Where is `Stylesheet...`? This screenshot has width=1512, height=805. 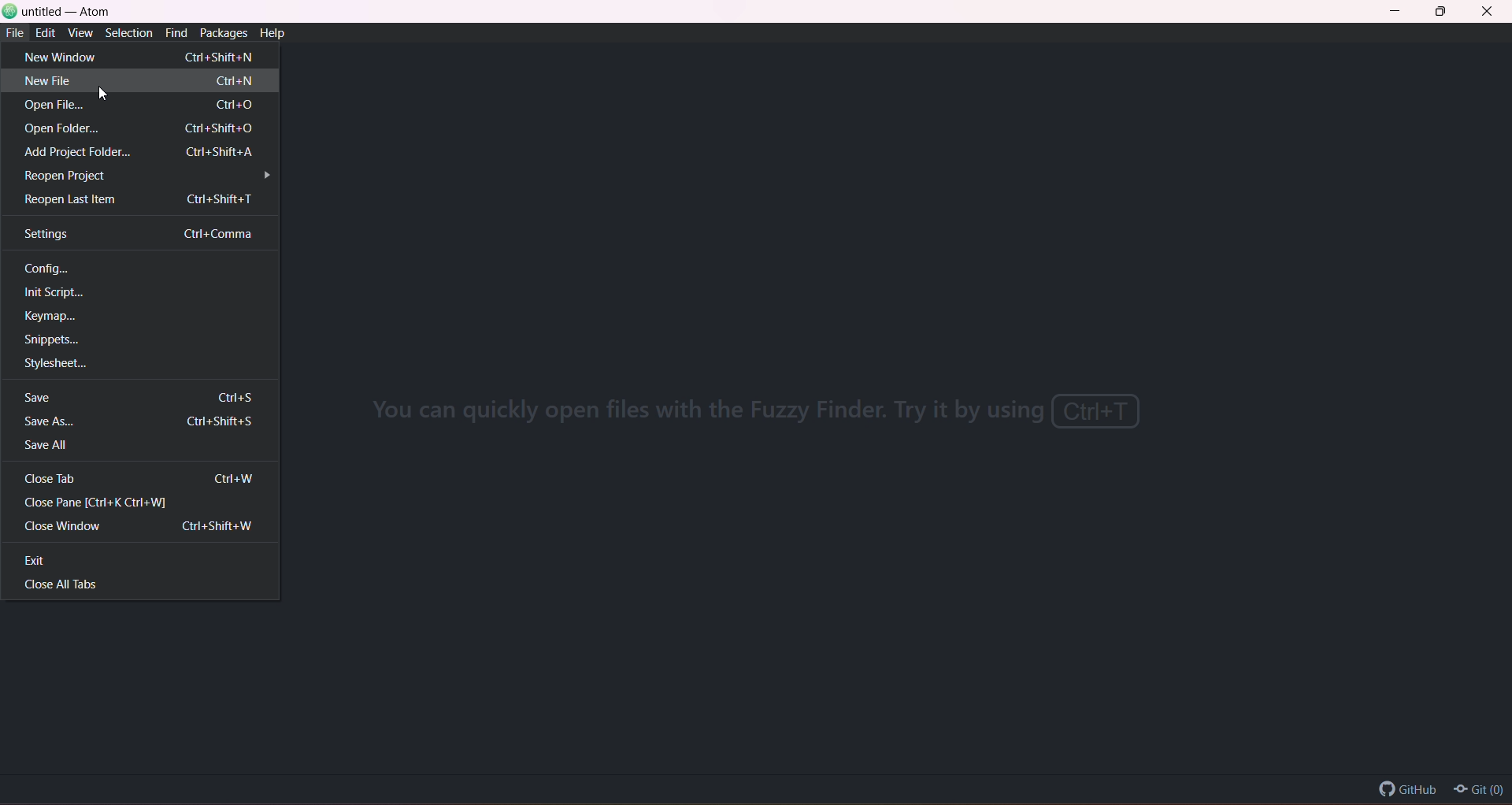 Stylesheet... is located at coordinates (72, 364).